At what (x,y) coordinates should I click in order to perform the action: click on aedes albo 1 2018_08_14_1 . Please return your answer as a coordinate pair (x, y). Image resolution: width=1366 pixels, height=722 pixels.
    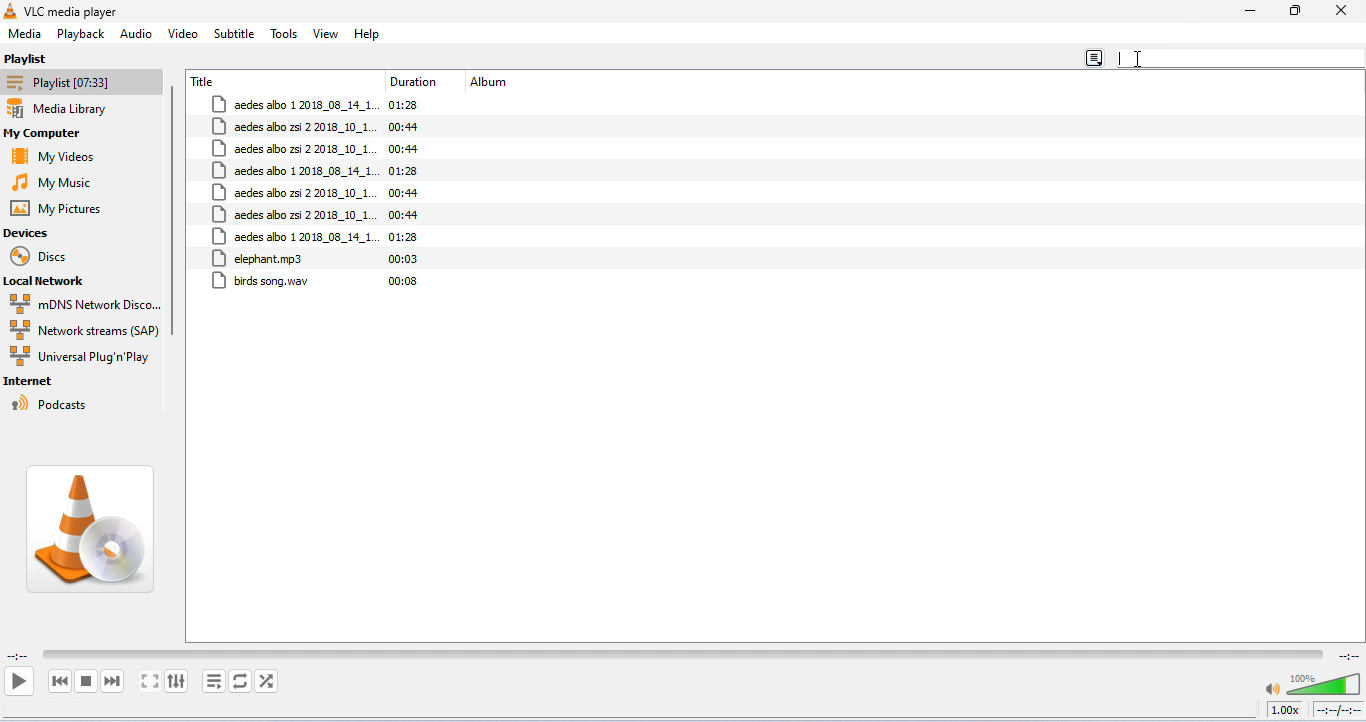
    Looking at the image, I should click on (295, 170).